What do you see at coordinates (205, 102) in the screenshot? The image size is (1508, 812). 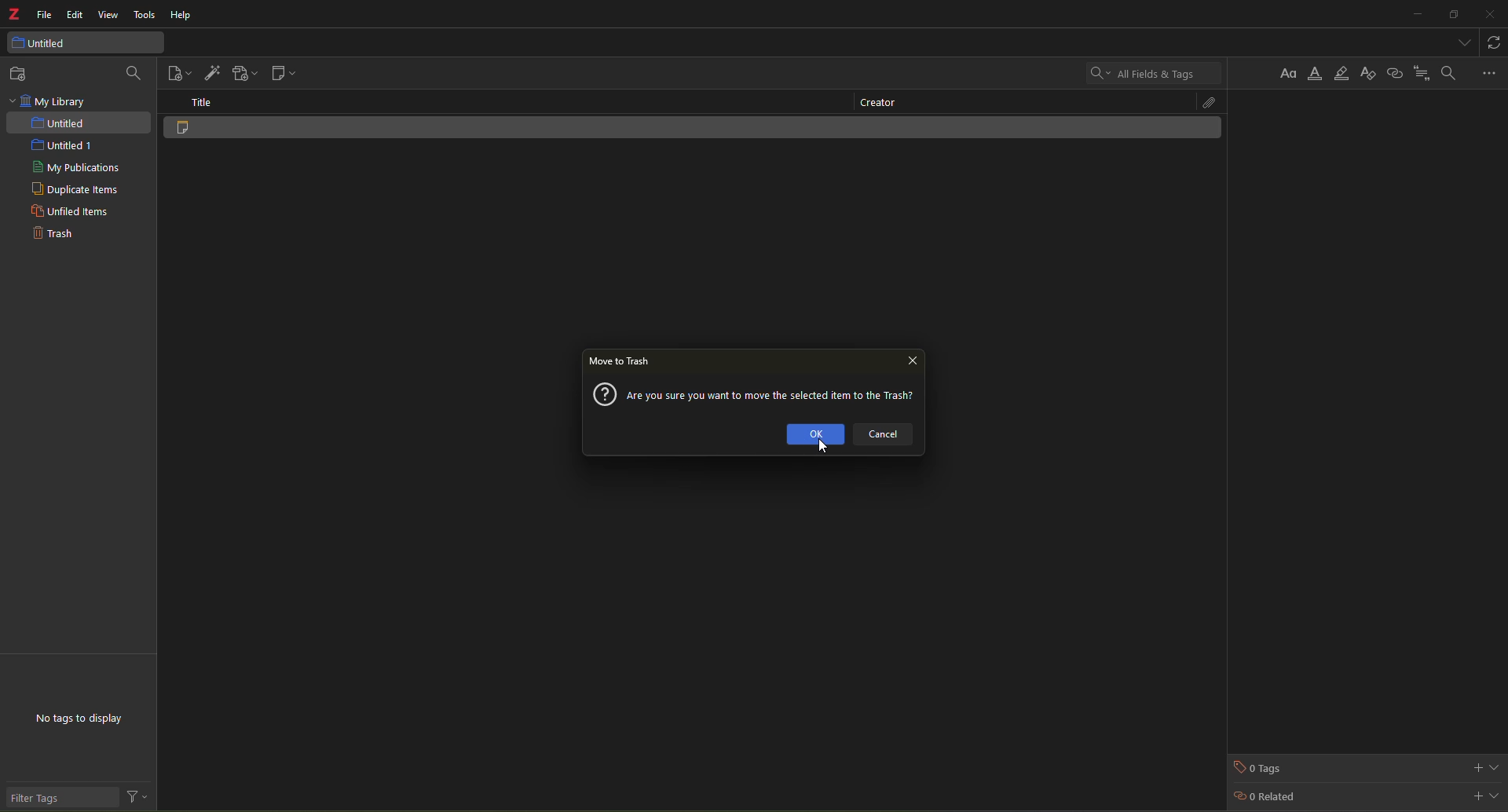 I see `title` at bounding box center [205, 102].